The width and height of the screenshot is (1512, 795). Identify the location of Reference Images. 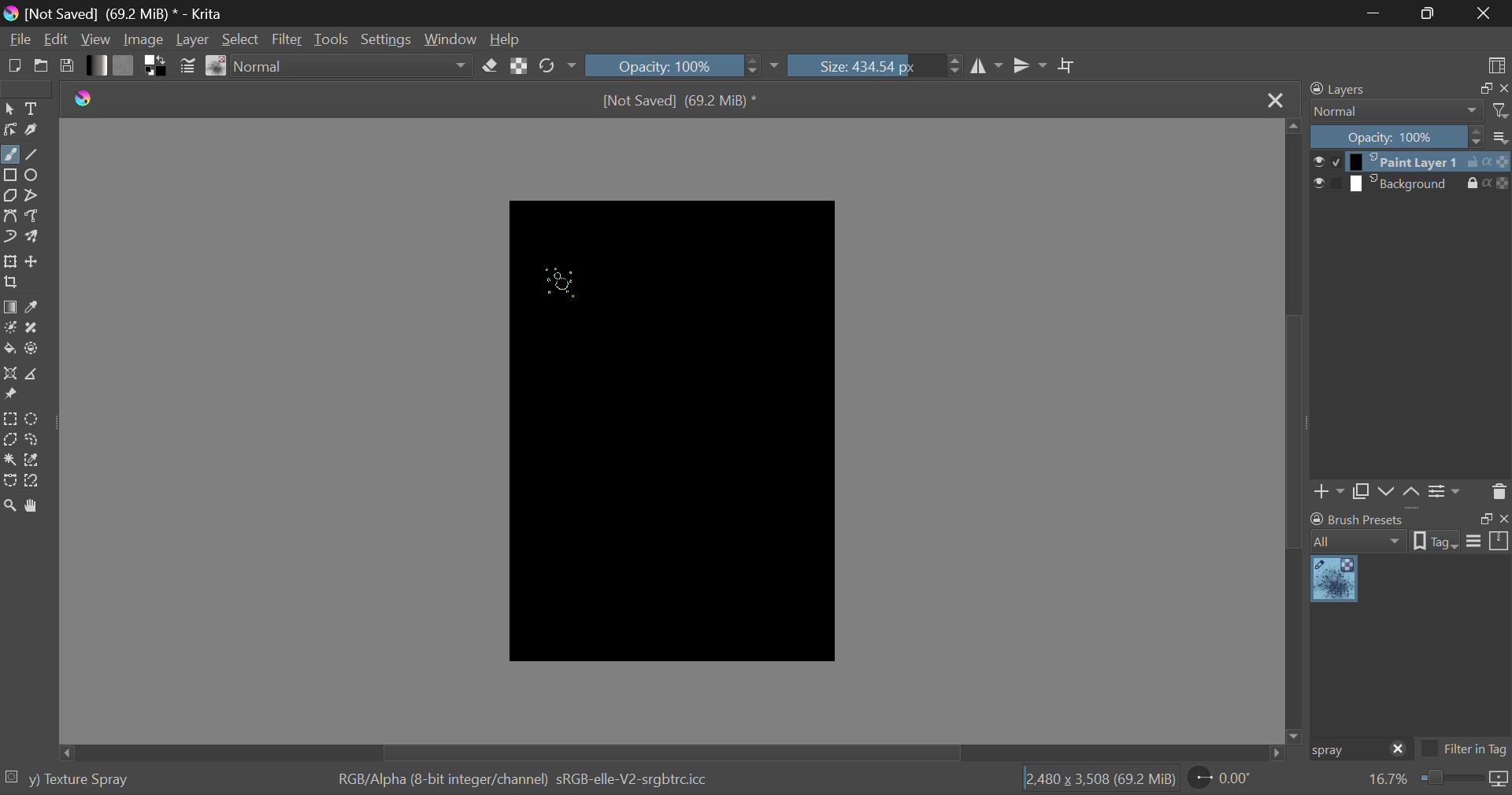
(9, 394).